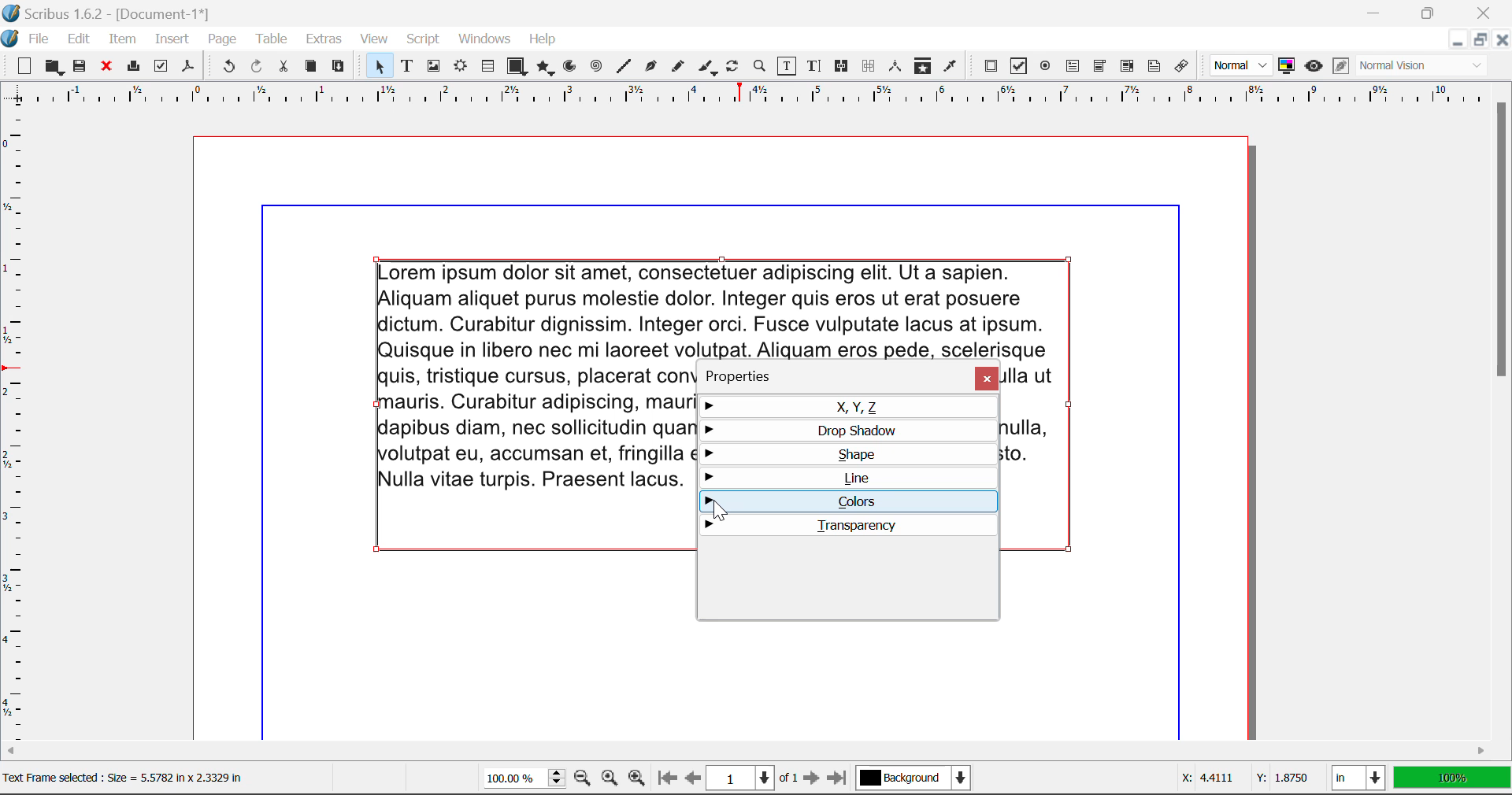 This screenshot has width=1512, height=795. Describe the element at coordinates (1452, 778) in the screenshot. I see `Display Measurement` at that location.